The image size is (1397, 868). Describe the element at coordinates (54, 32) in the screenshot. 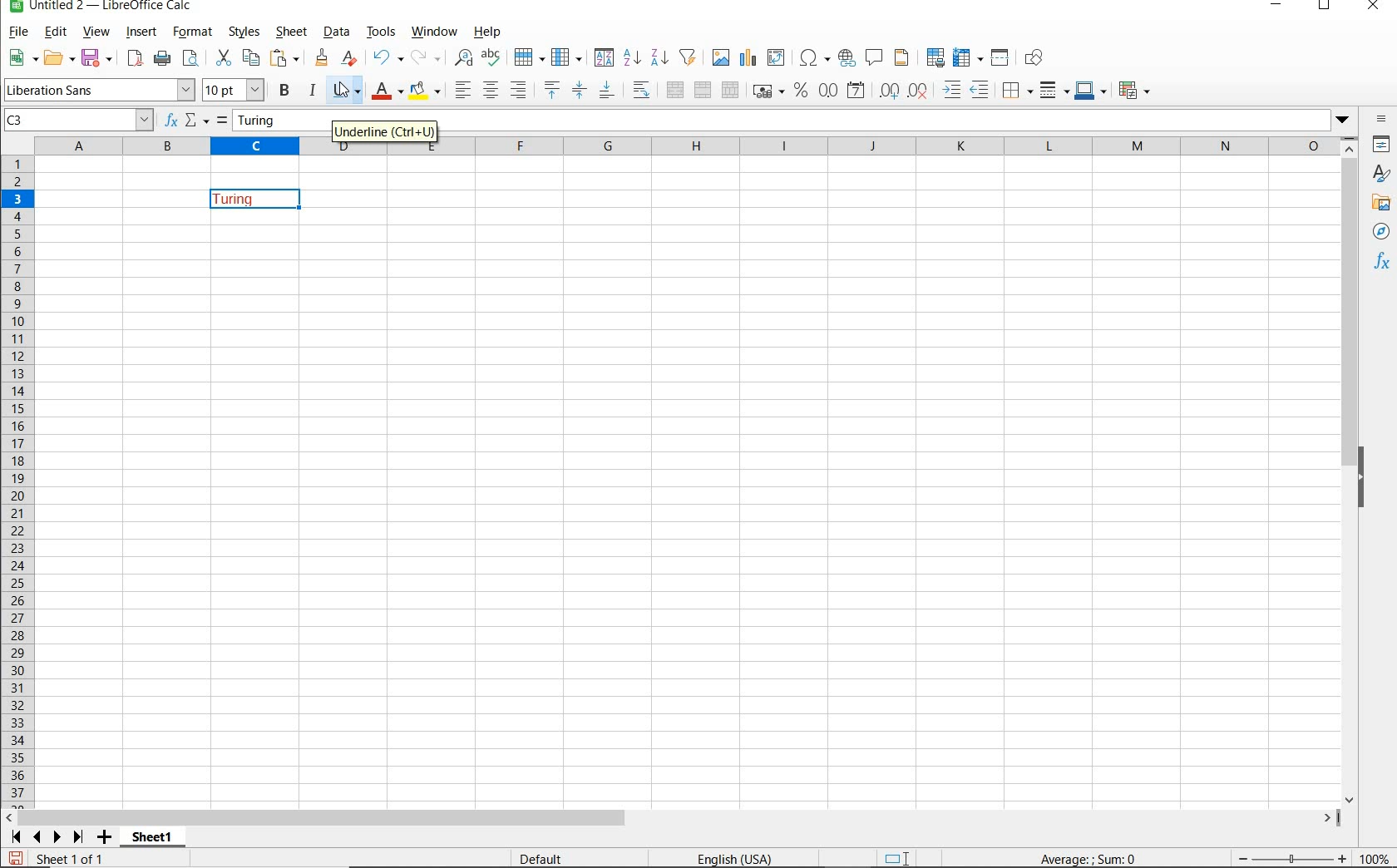

I see `EDIT` at that location.